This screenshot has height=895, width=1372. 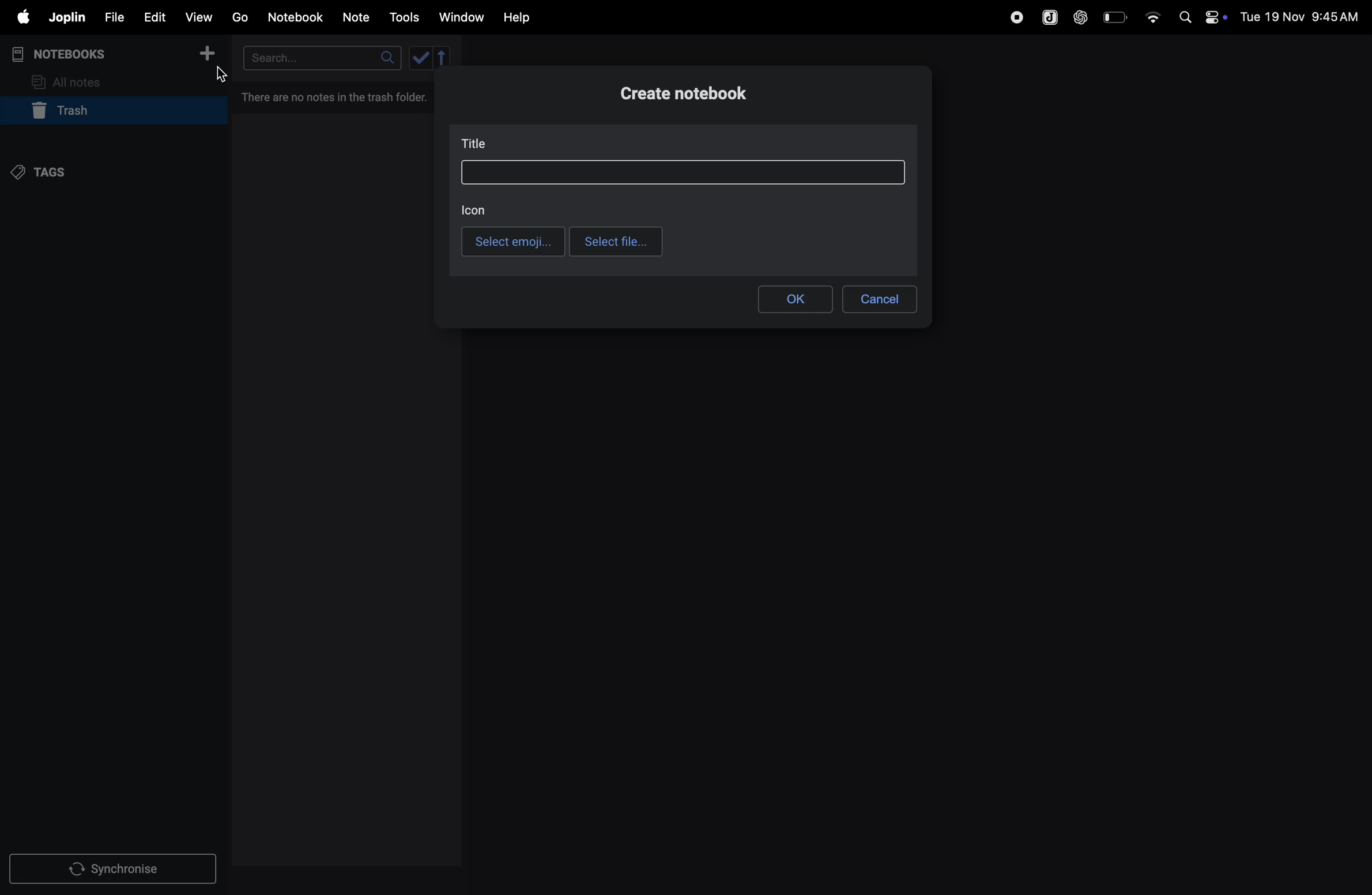 I want to click on chatgpt, so click(x=1081, y=16).